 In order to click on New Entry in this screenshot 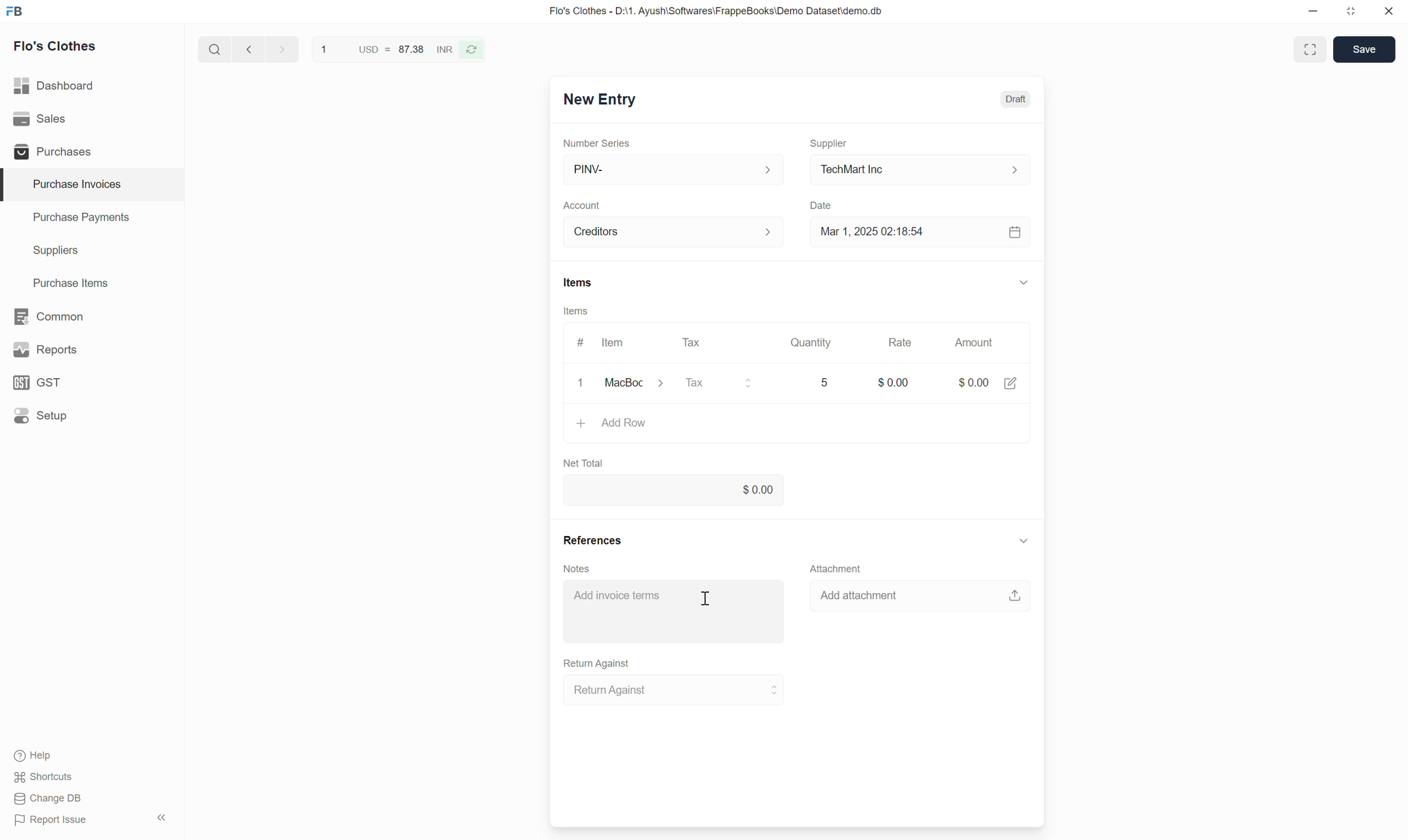, I will do `click(601, 100)`.